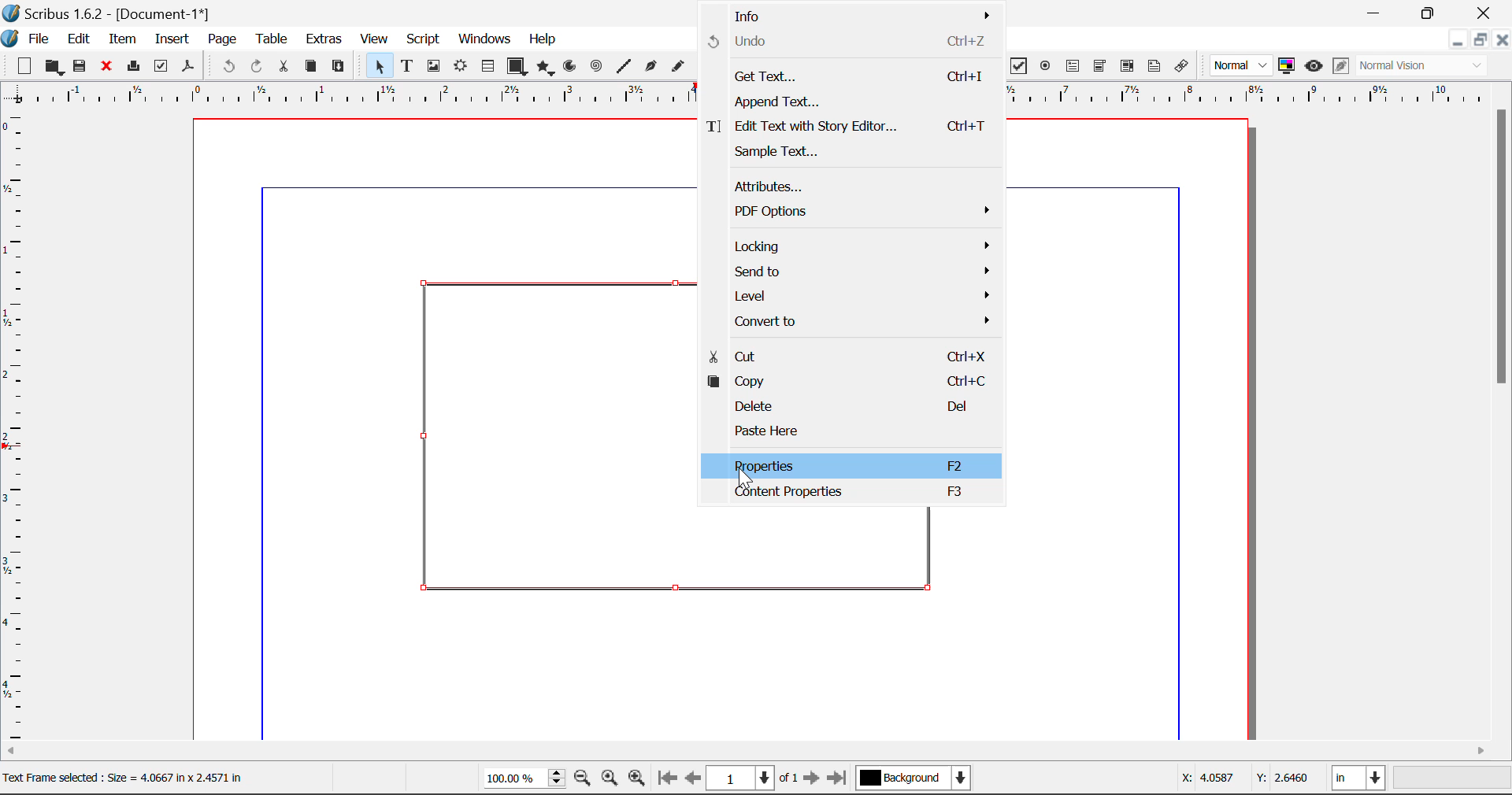 This screenshot has width=1512, height=795. Describe the element at coordinates (107, 67) in the screenshot. I see `Discard` at that location.